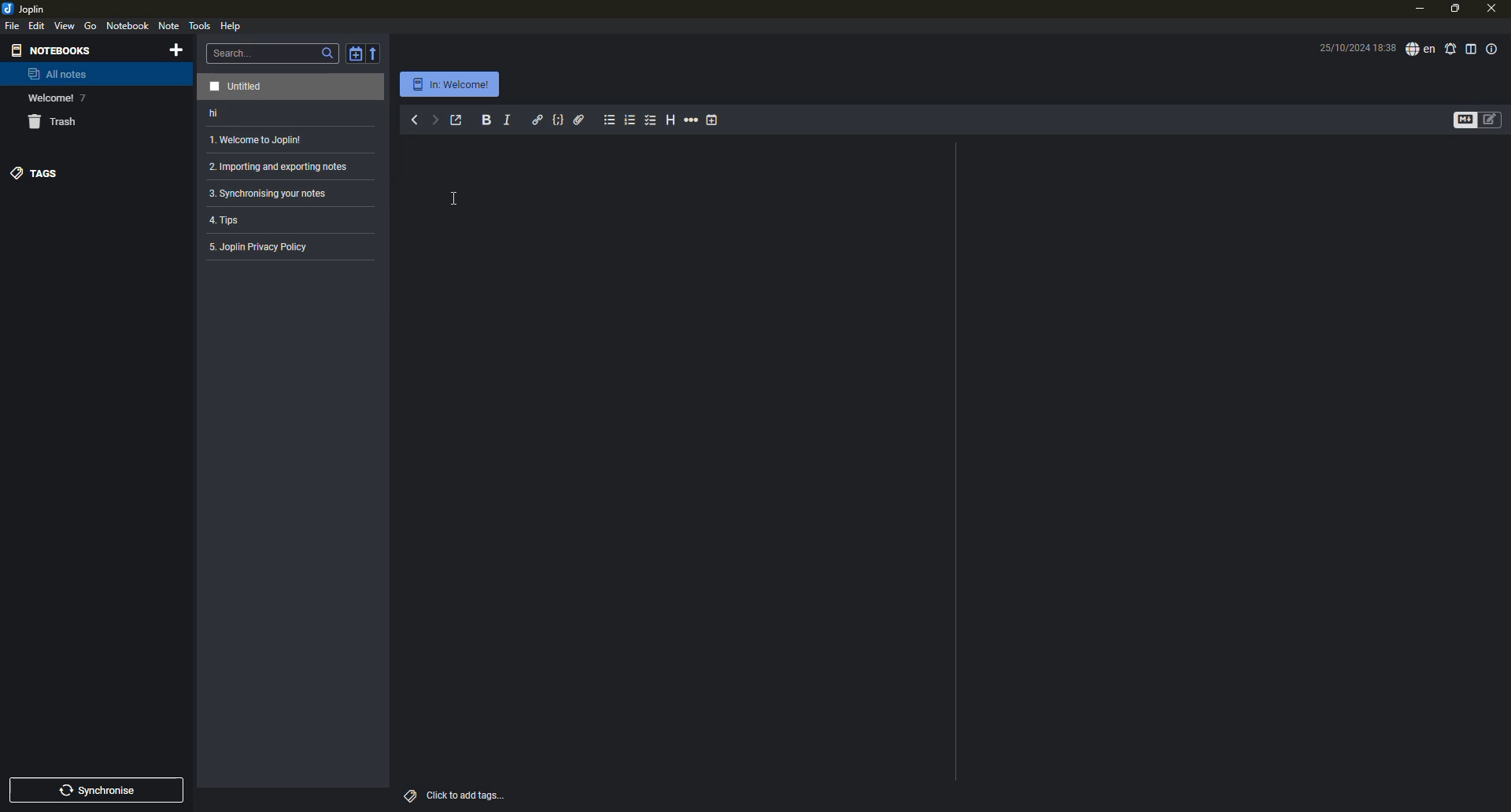 This screenshot has width=1511, height=812. Describe the element at coordinates (1494, 49) in the screenshot. I see `note properties` at that location.